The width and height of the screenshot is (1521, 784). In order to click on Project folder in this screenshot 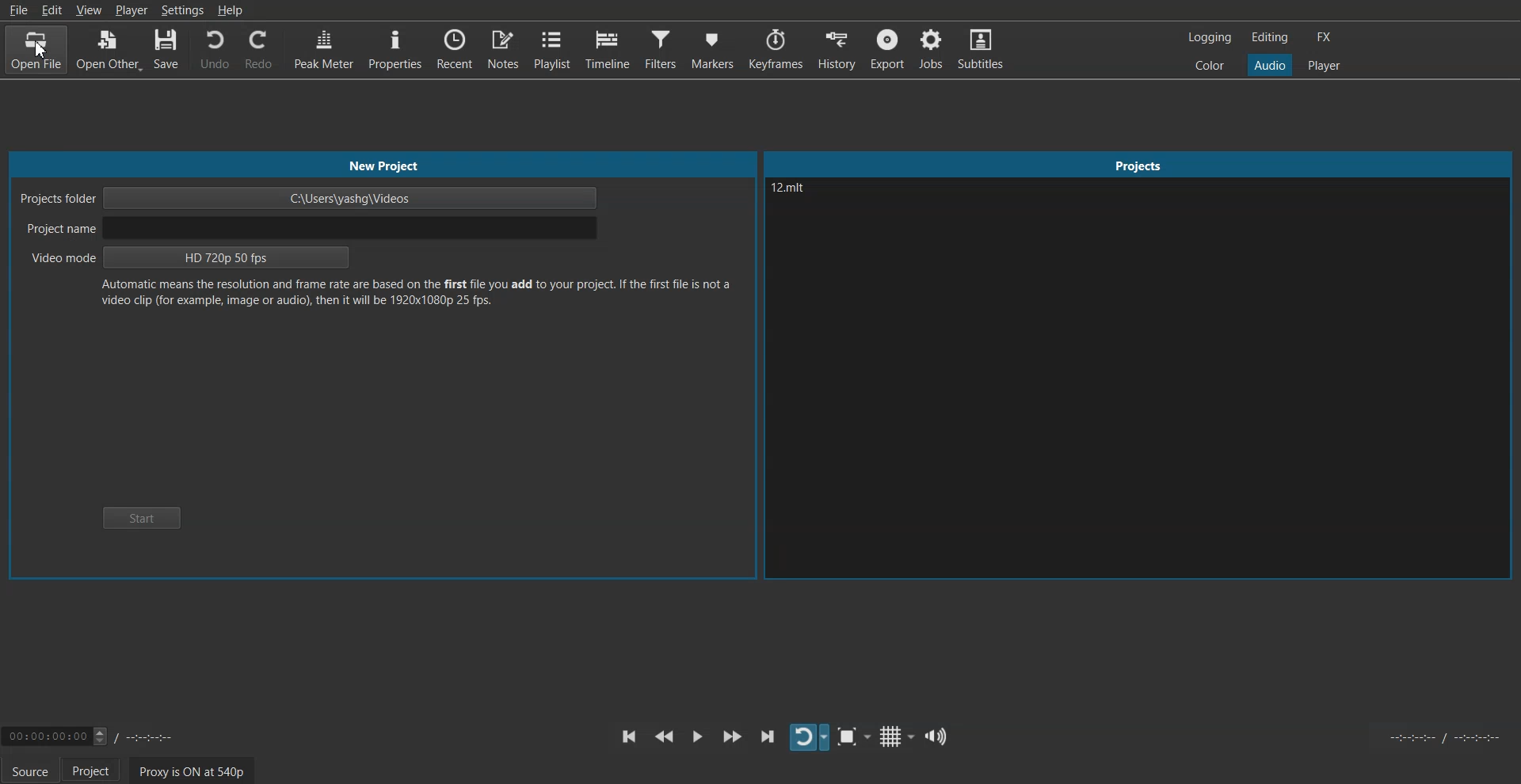, I will do `click(310, 198)`.